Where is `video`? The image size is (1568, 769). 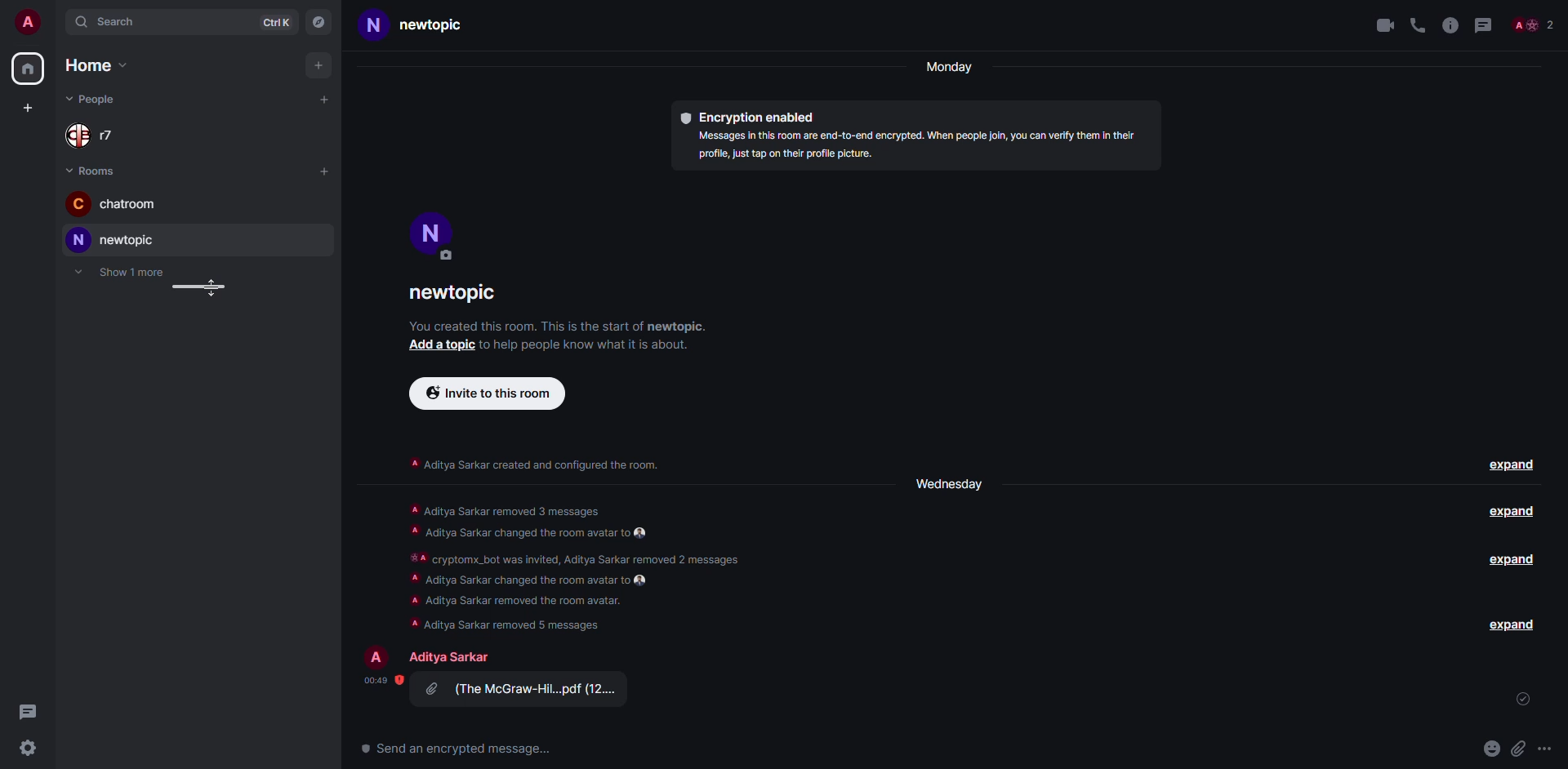
video is located at coordinates (1382, 24).